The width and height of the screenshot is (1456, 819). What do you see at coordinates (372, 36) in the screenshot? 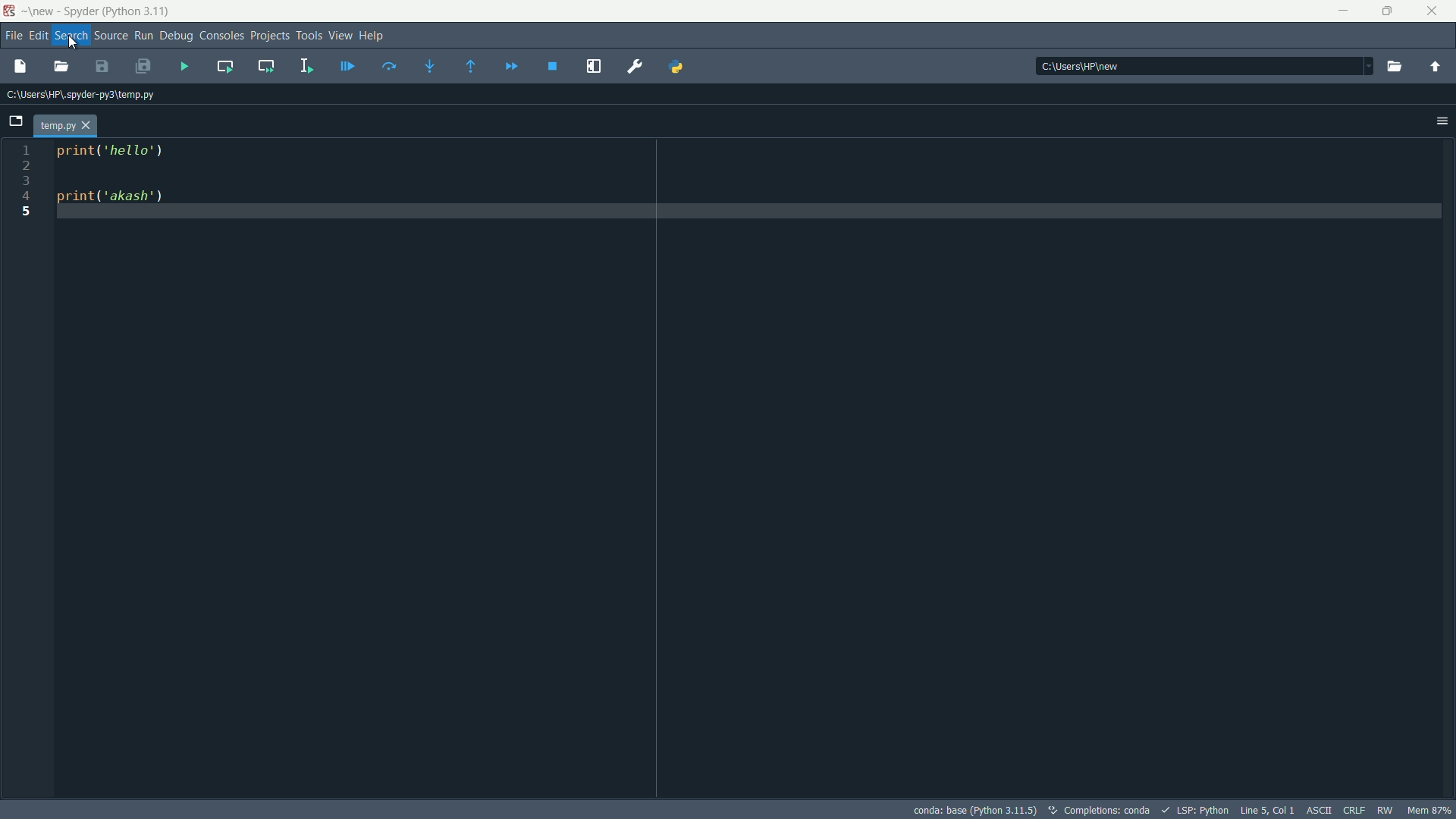
I see `help menu` at bounding box center [372, 36].